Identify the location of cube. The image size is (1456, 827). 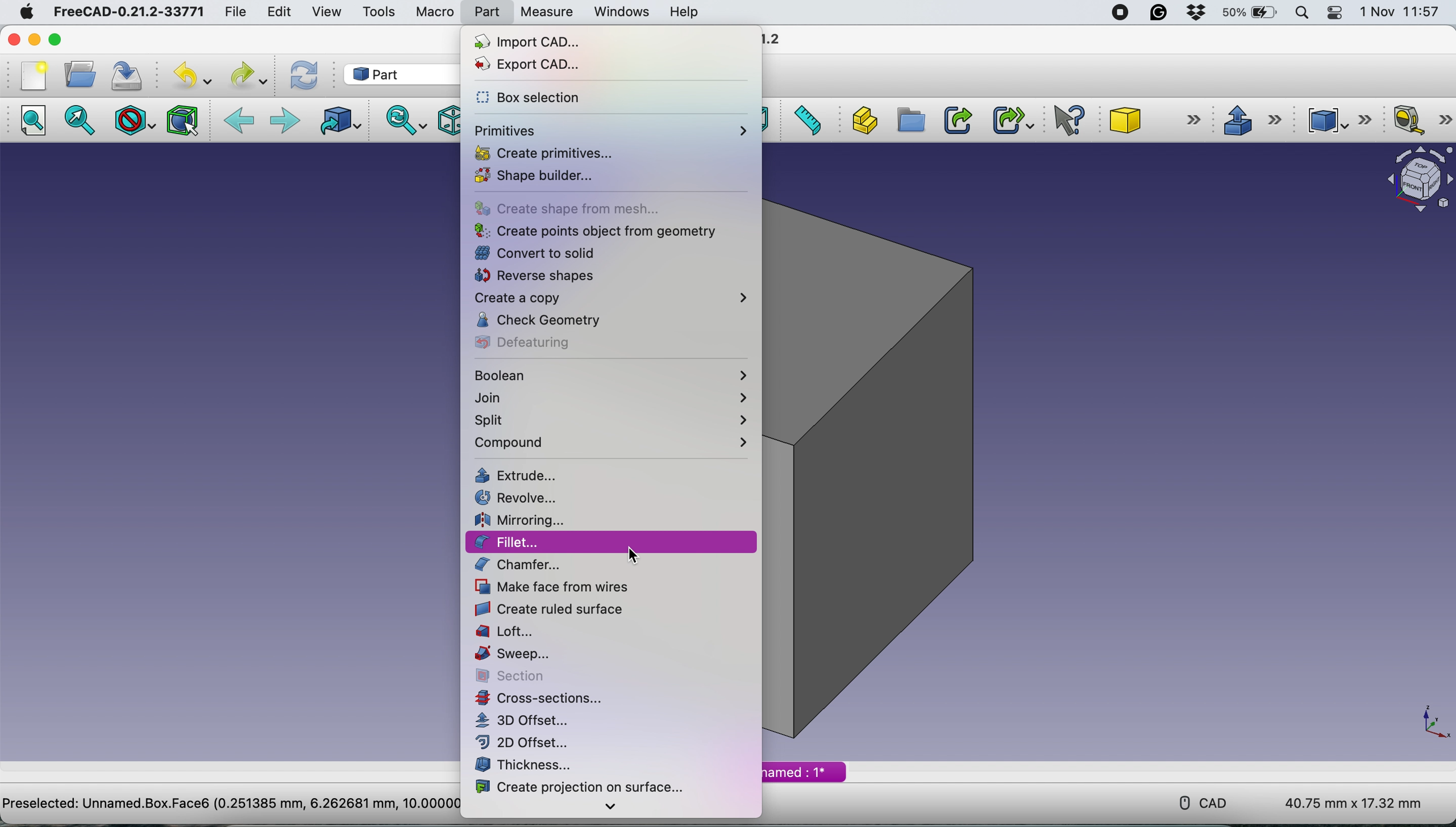
(1154, 119).